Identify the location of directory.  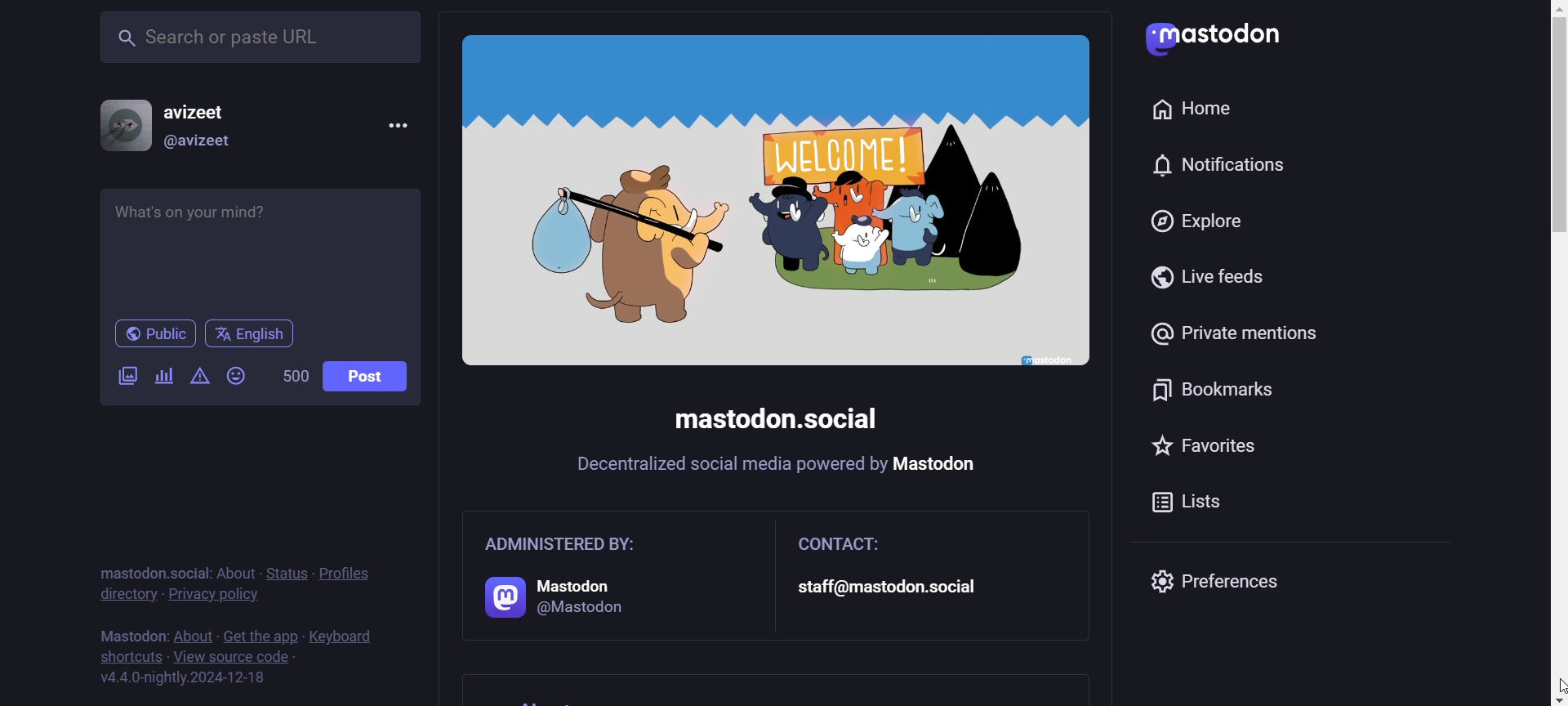
(127, 596).